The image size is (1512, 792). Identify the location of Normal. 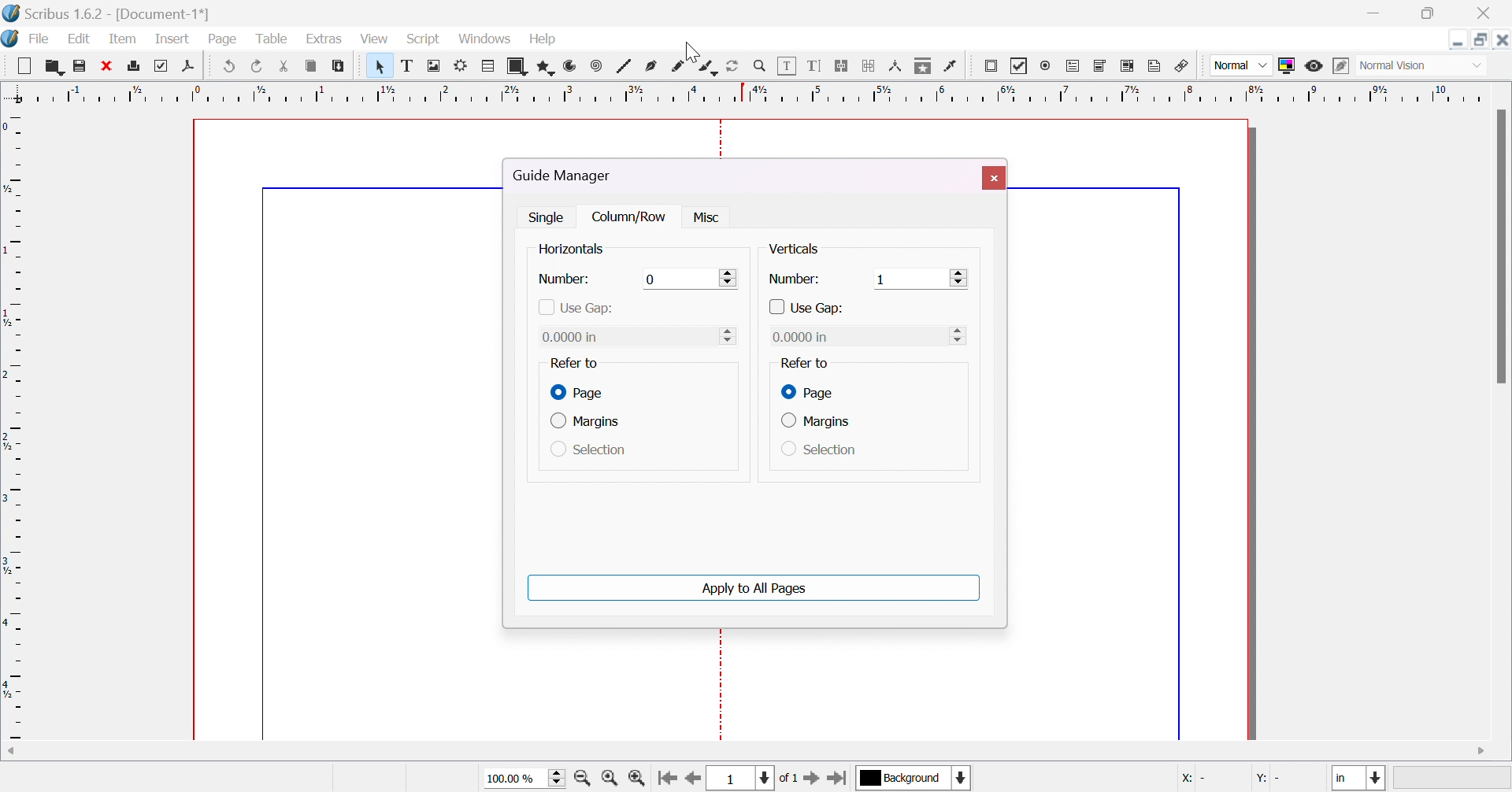
(1240, 65).